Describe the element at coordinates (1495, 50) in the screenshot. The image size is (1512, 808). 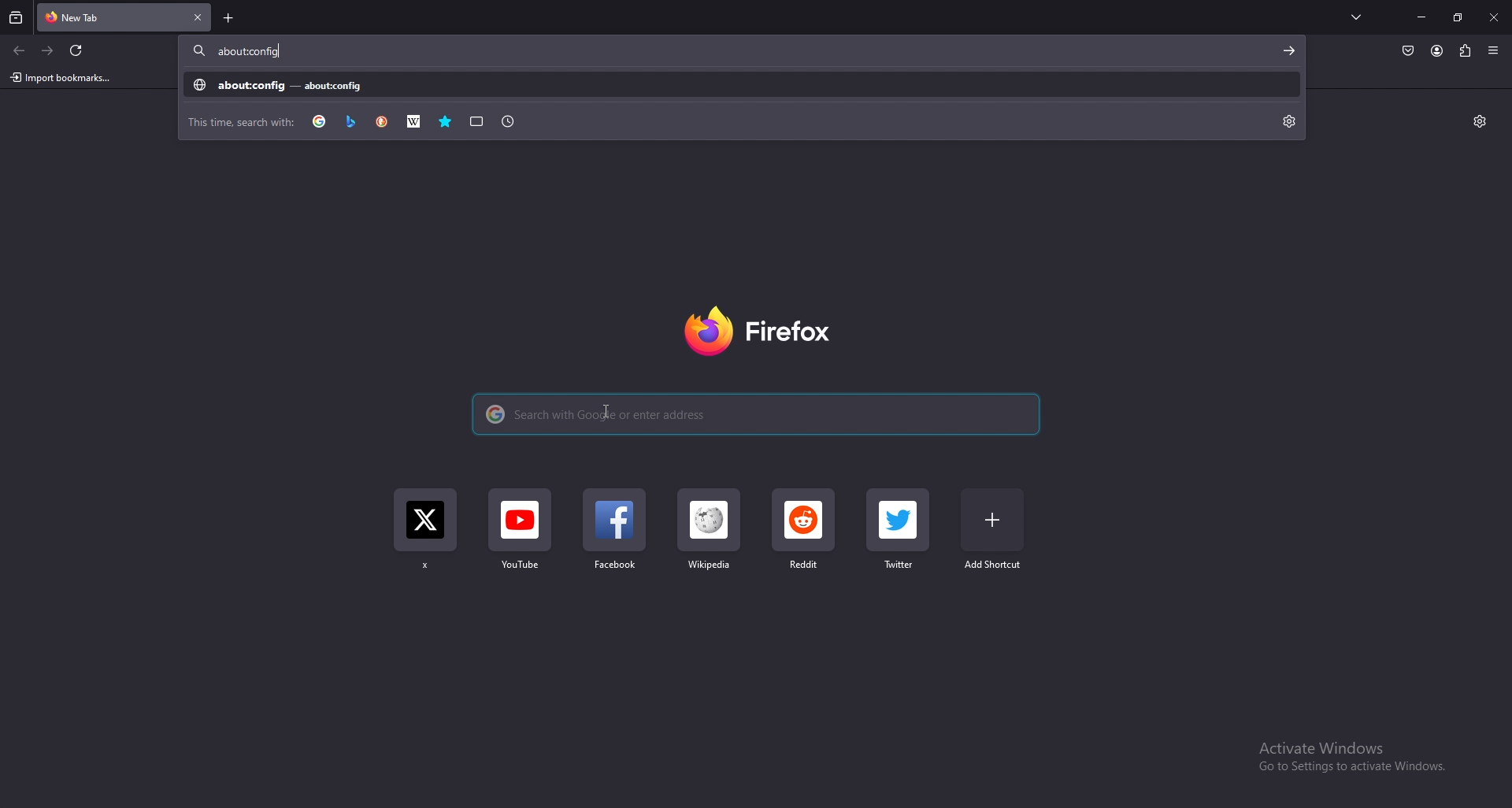
I see `application menu` at that location.